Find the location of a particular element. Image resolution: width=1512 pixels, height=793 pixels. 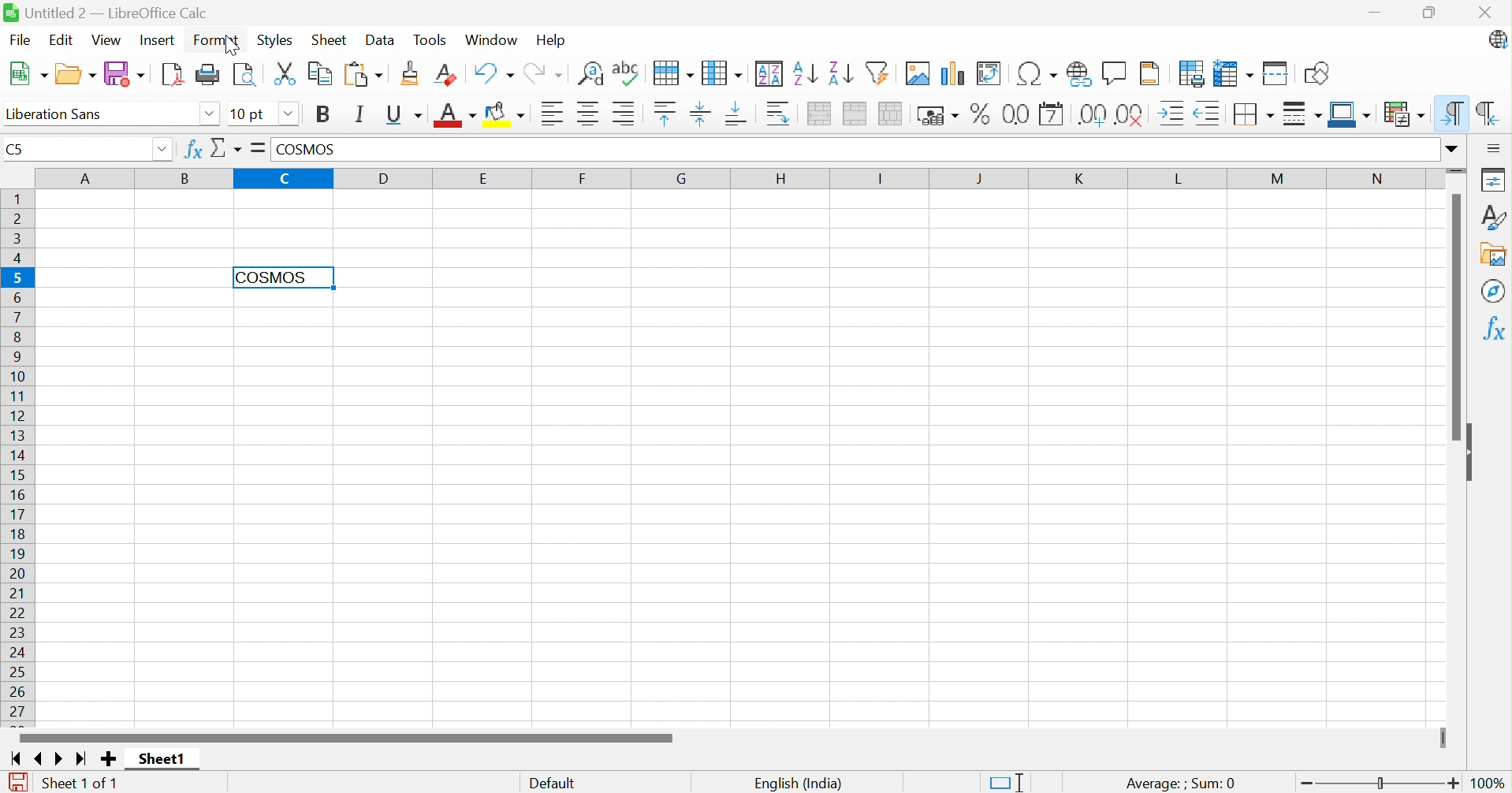

Insert or Edit Pivot Table is located at coordinates (995, 73).